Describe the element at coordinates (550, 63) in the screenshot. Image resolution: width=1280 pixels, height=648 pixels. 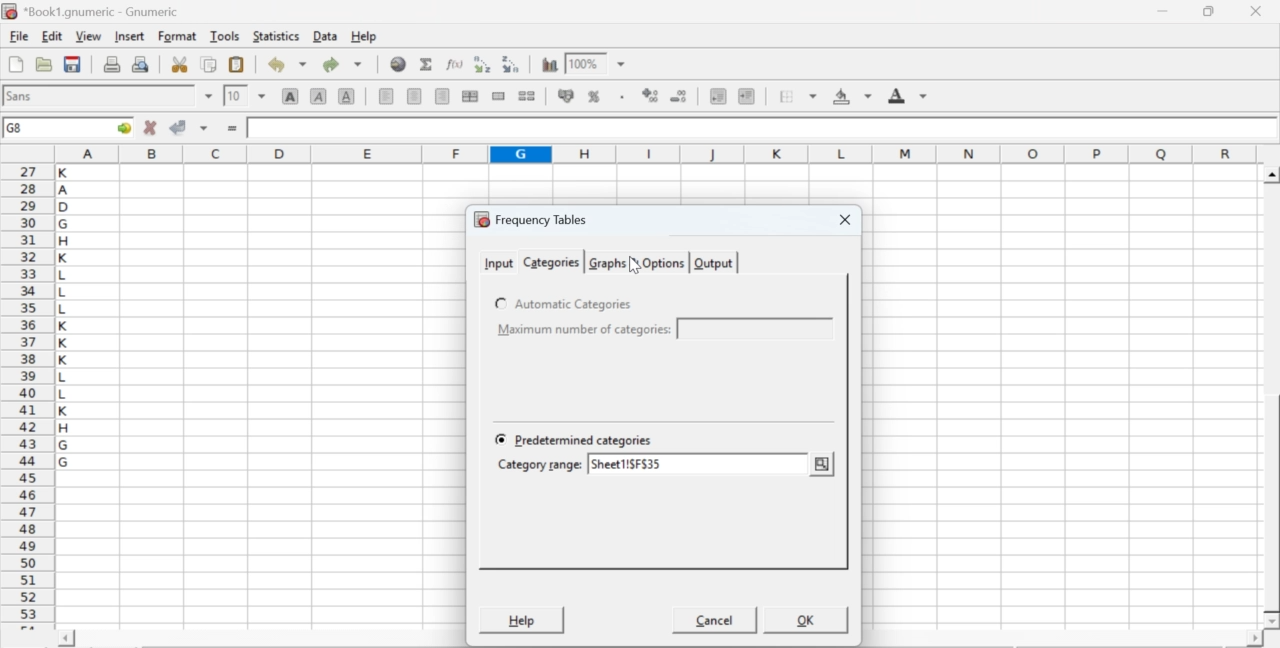
I see `insert chart` at that location.